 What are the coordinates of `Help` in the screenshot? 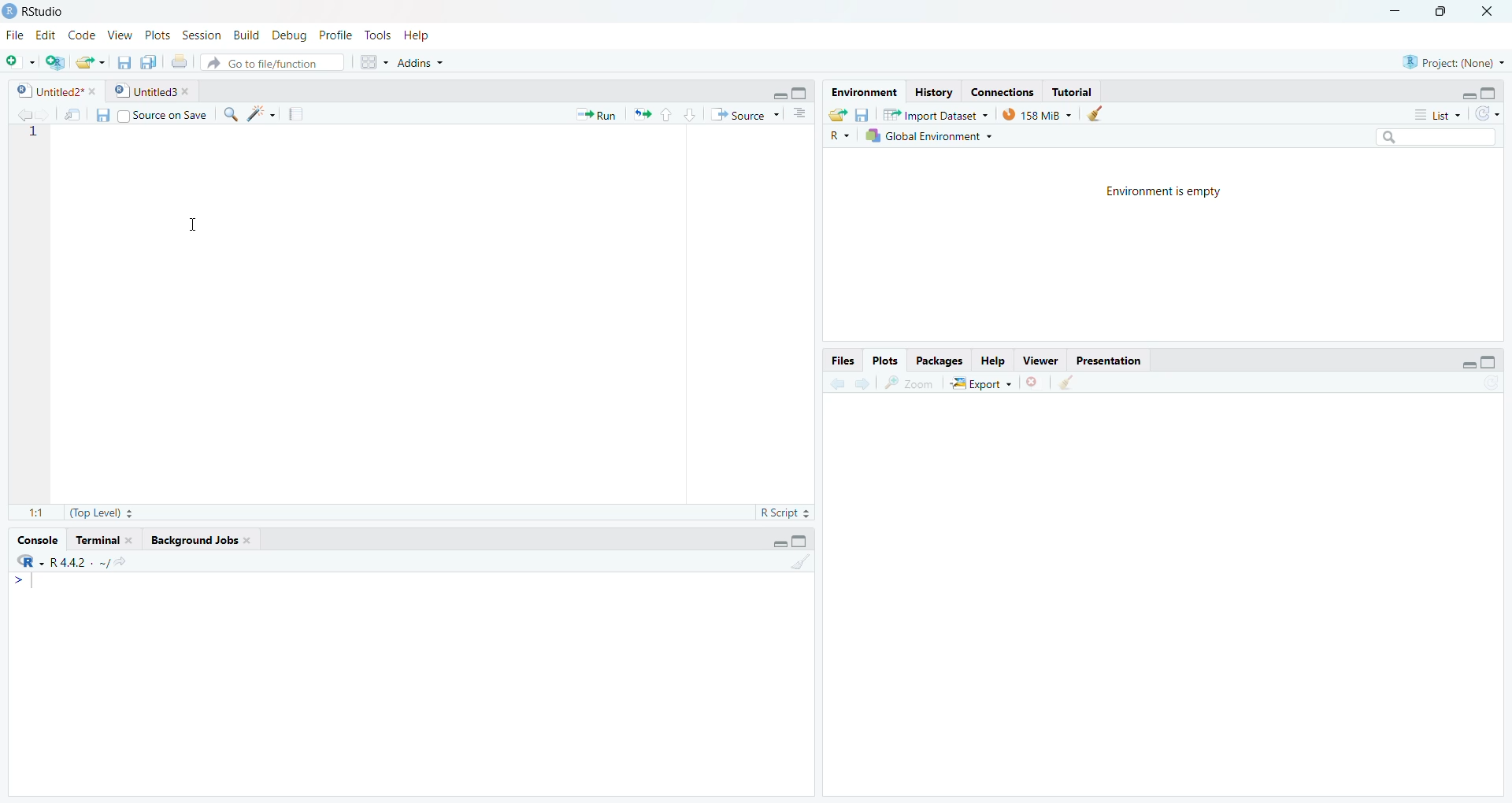 It's located at (993, 357).